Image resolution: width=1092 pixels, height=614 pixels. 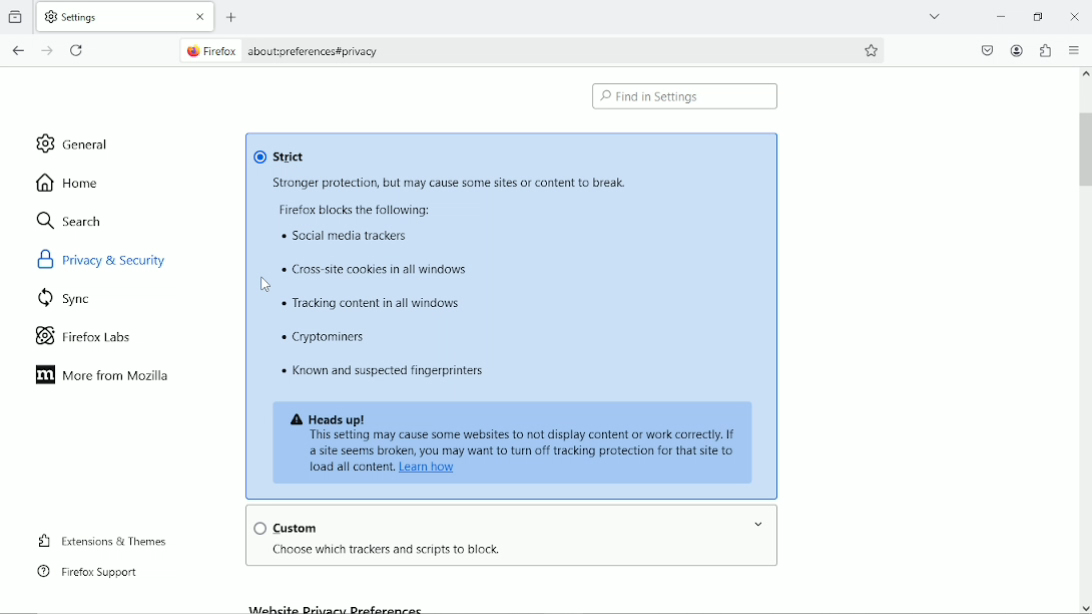 I want to click on text, so click(x=350, y=467).